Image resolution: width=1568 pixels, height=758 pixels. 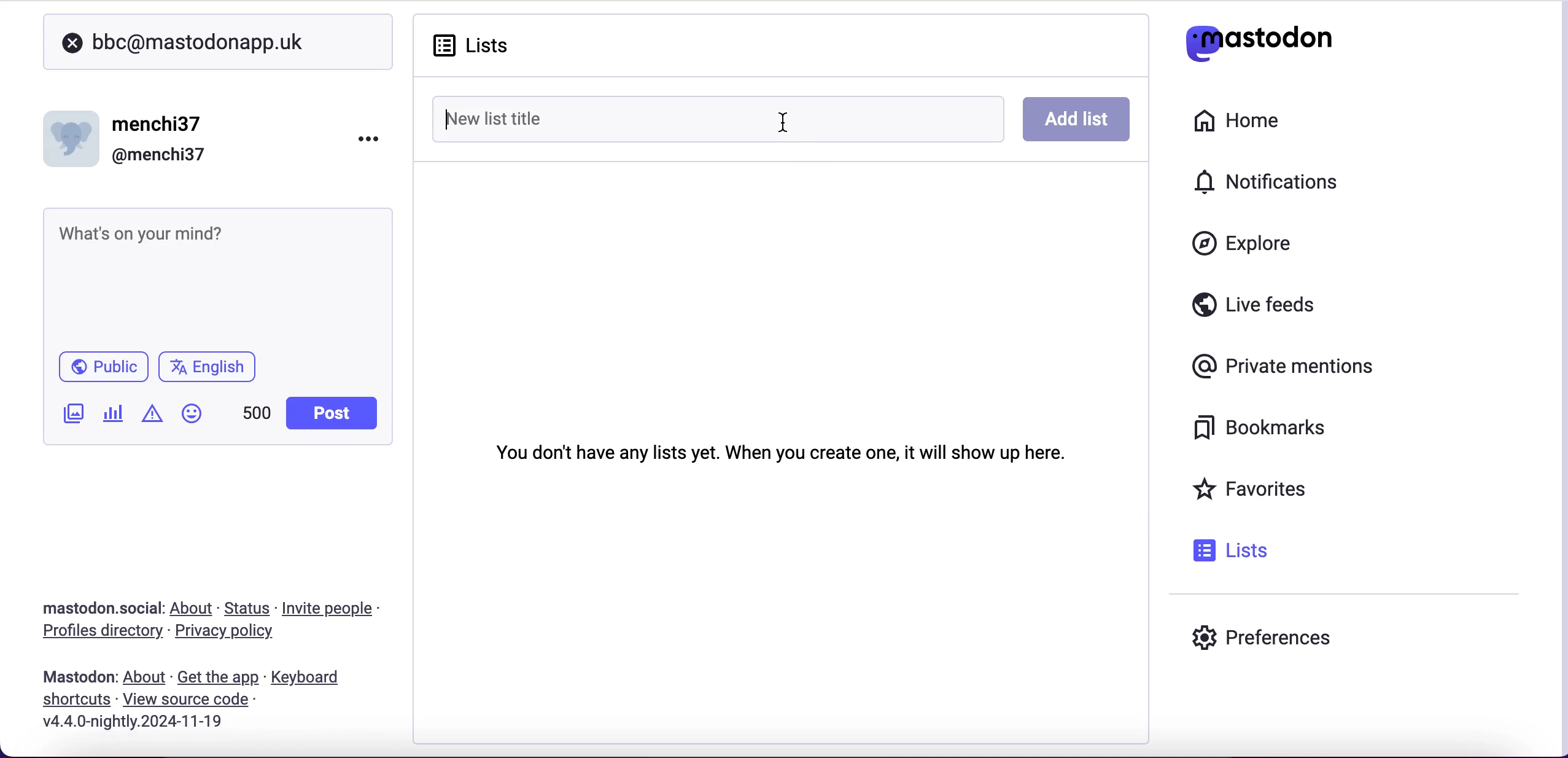 What do you see at coordinates (212, 273) in the screenshot?
I see `post what's n your mind` at bounding box center [212, 273].